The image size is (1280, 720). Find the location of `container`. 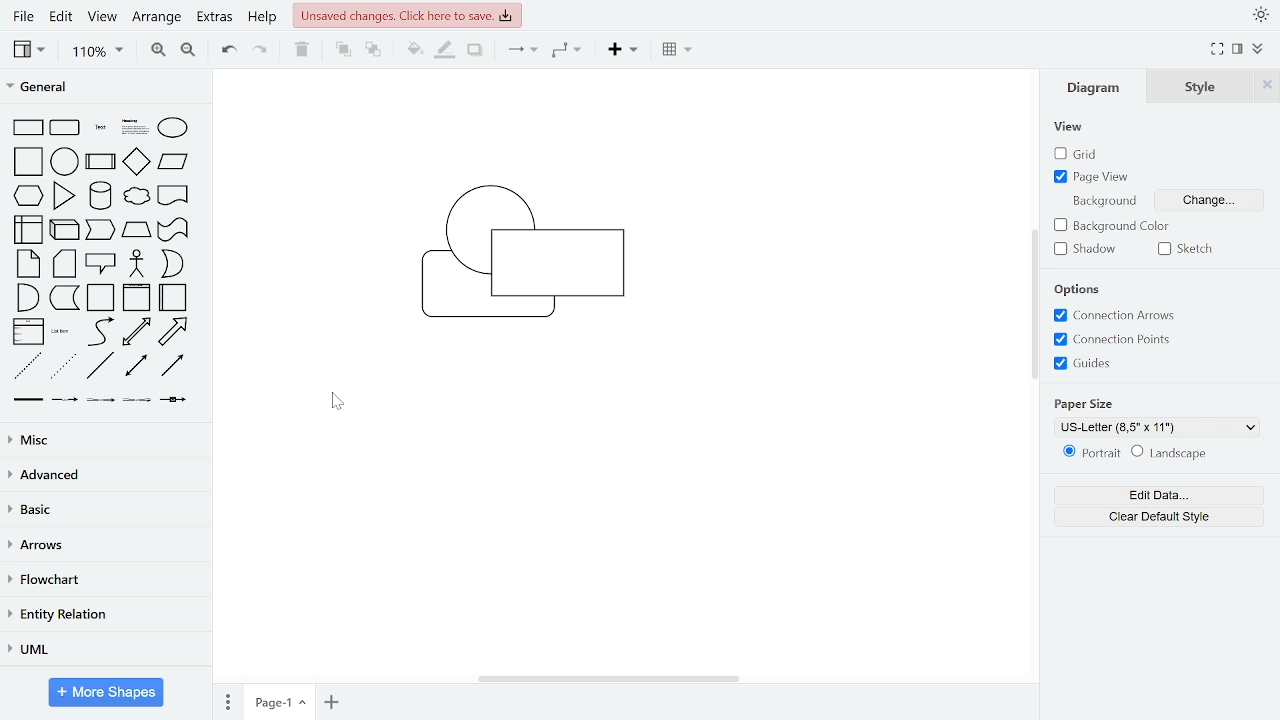

container is located at coordinates (101, 298).